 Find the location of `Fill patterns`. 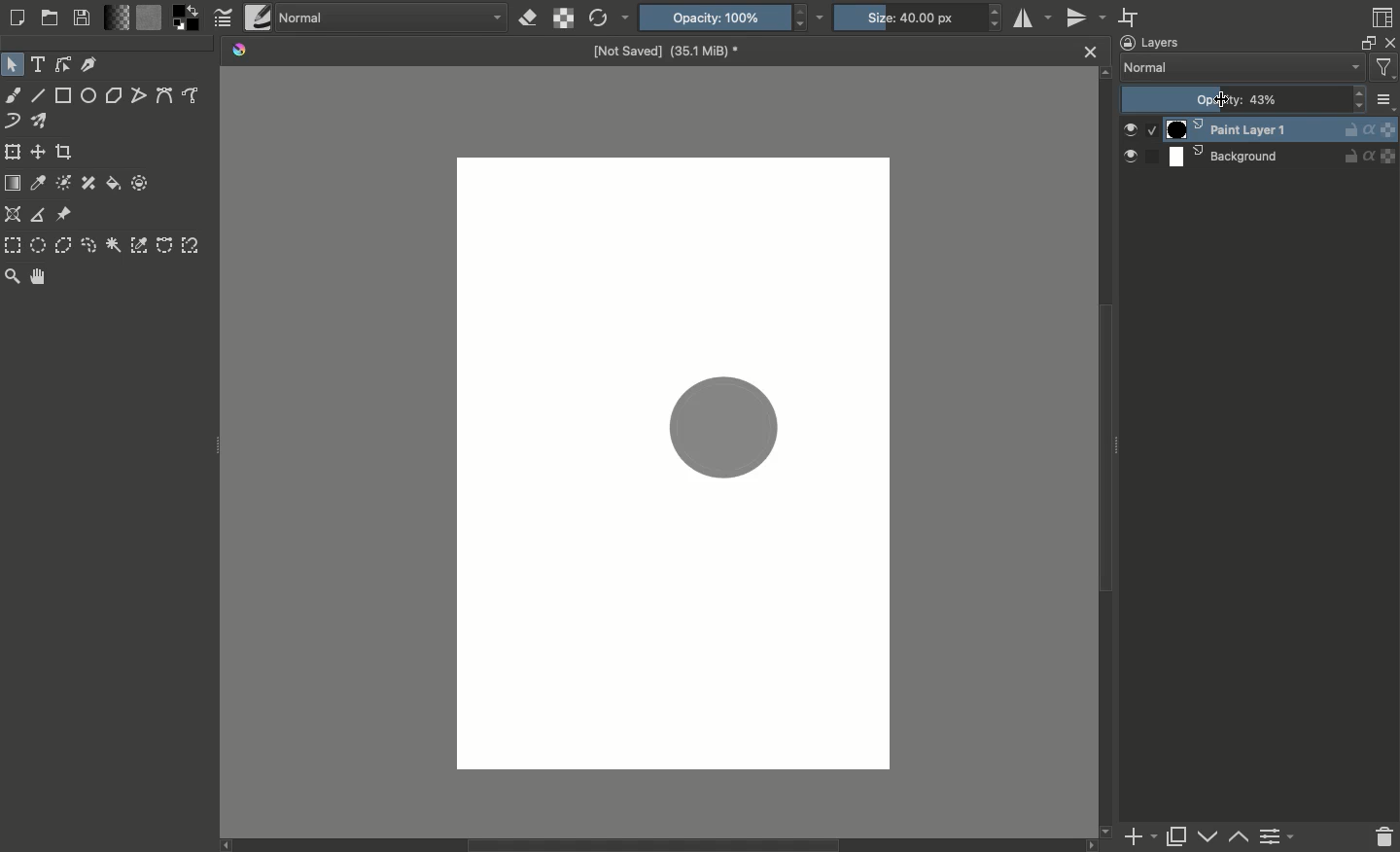

Fill patterns is located at coordinates (149, 18).